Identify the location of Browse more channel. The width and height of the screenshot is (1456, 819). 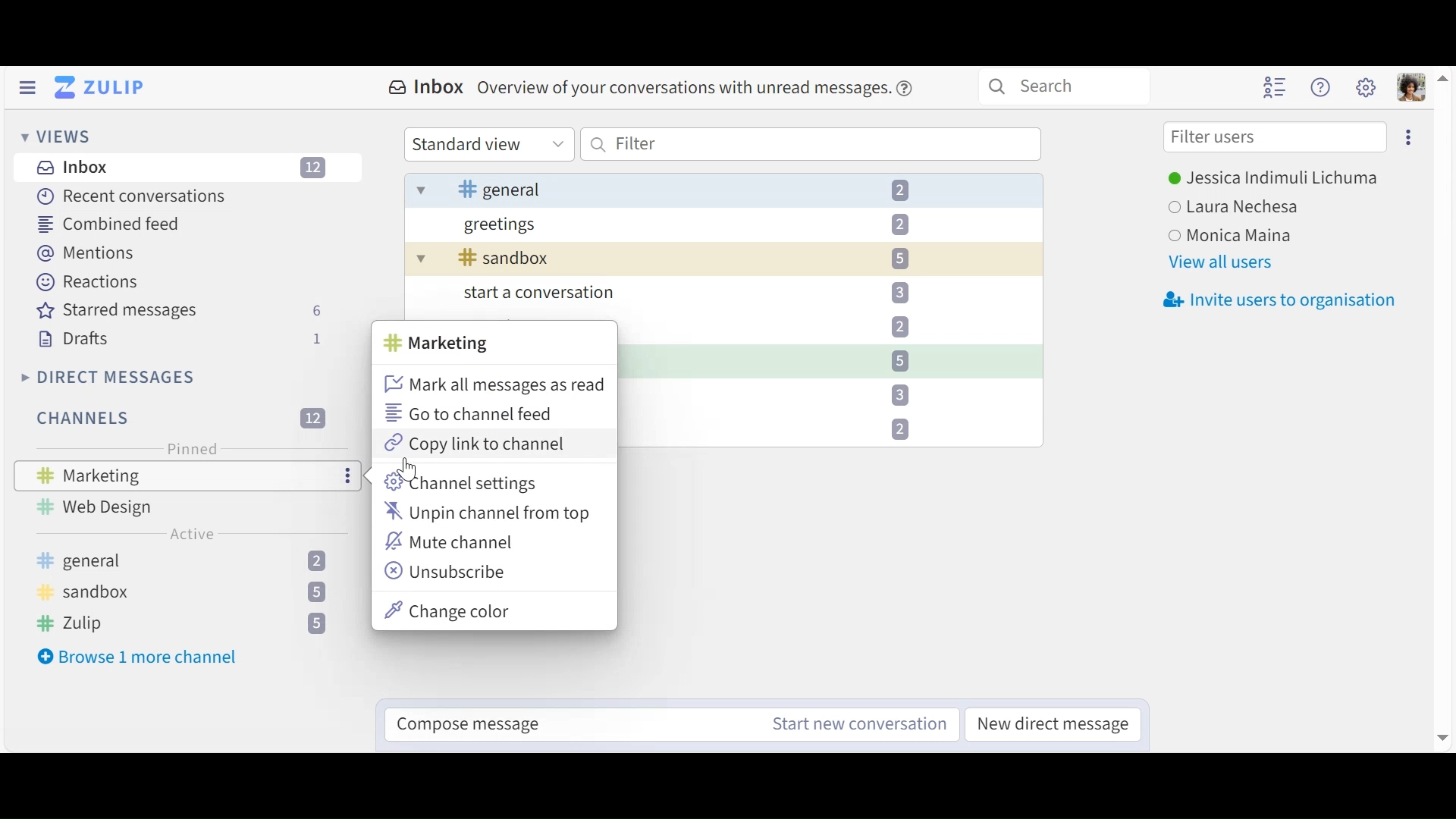
(137, 657).